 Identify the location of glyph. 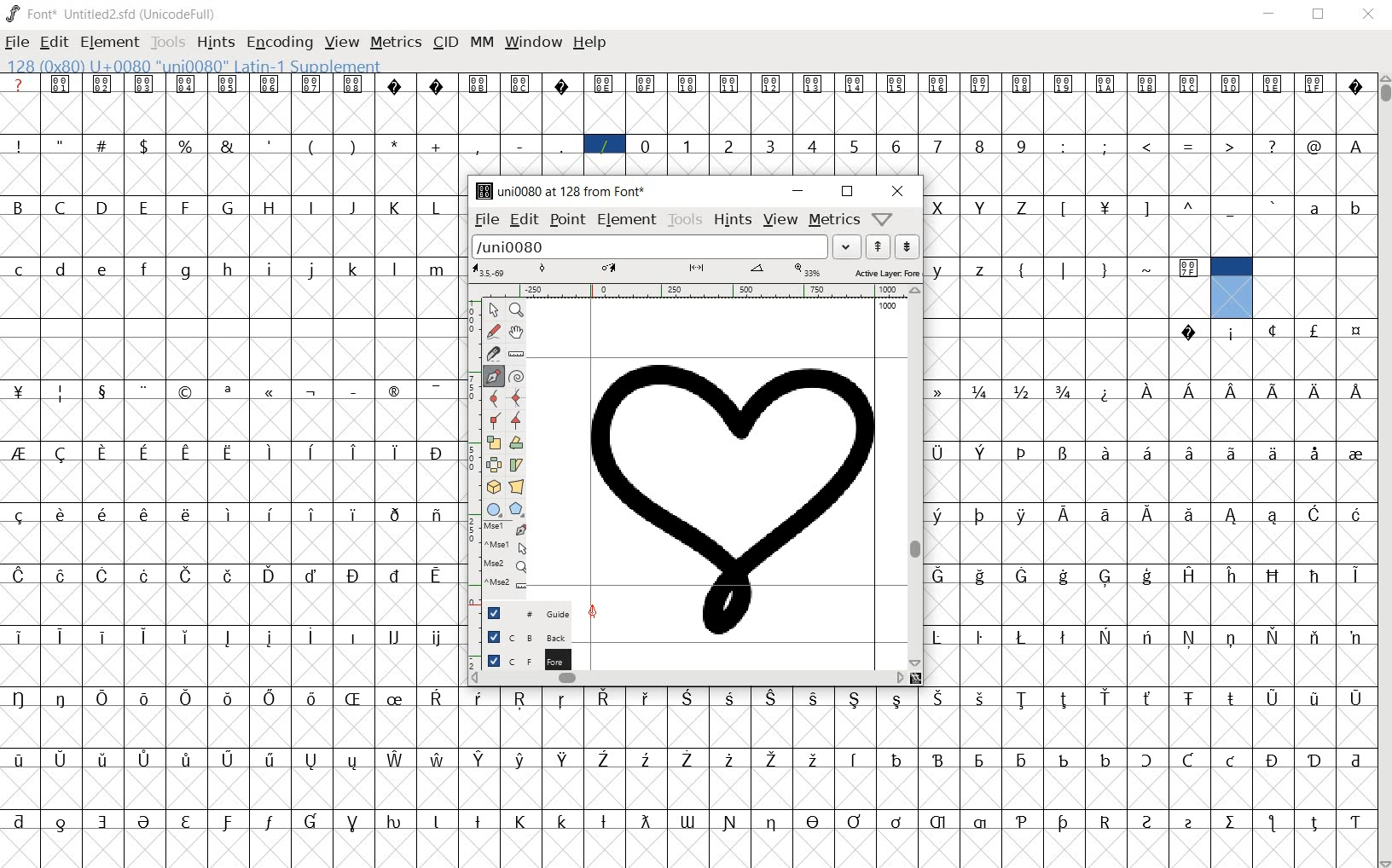
(19, 146).